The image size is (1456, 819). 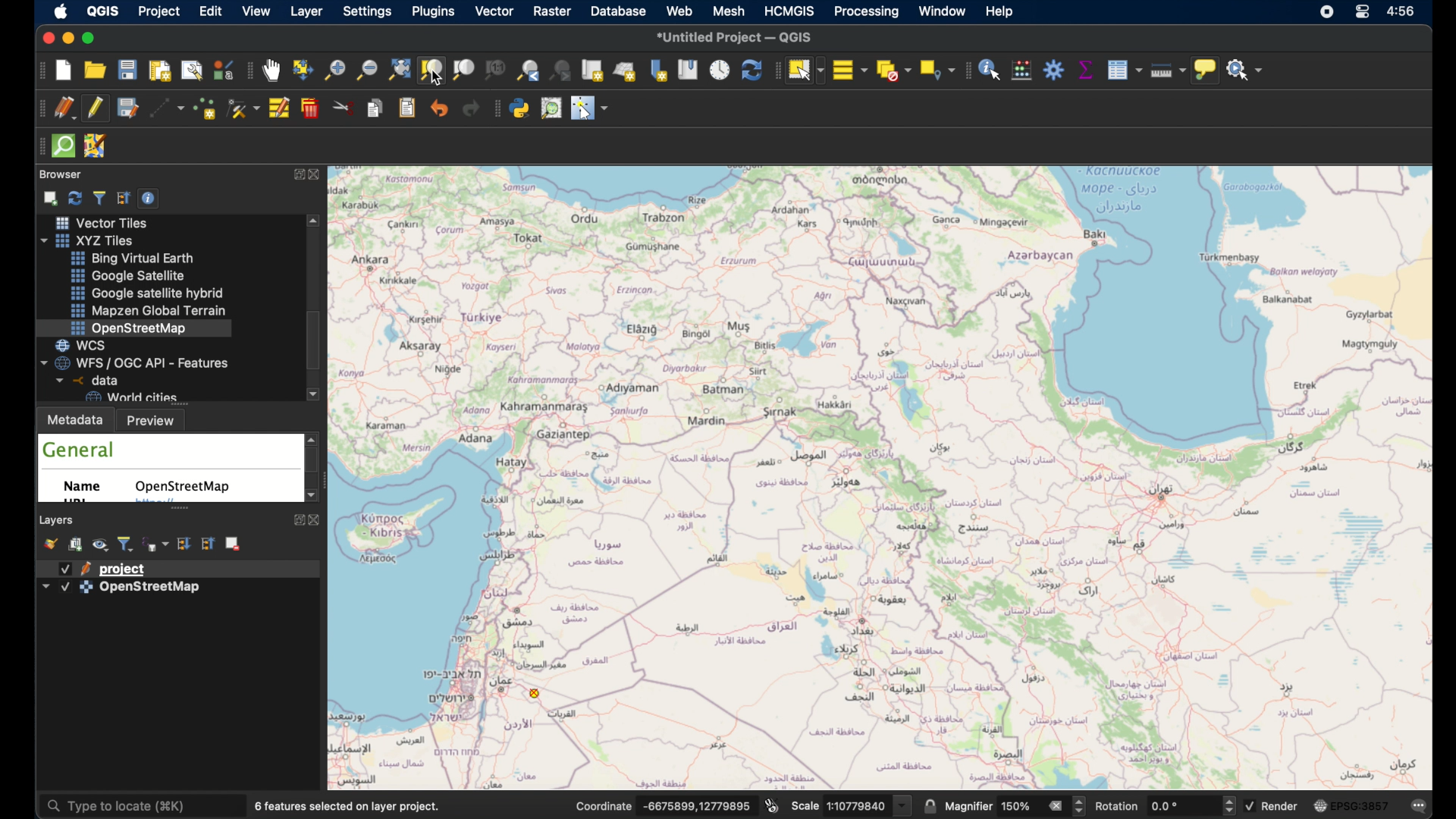 I want to click on apple icon, so click(x=64, y=13).